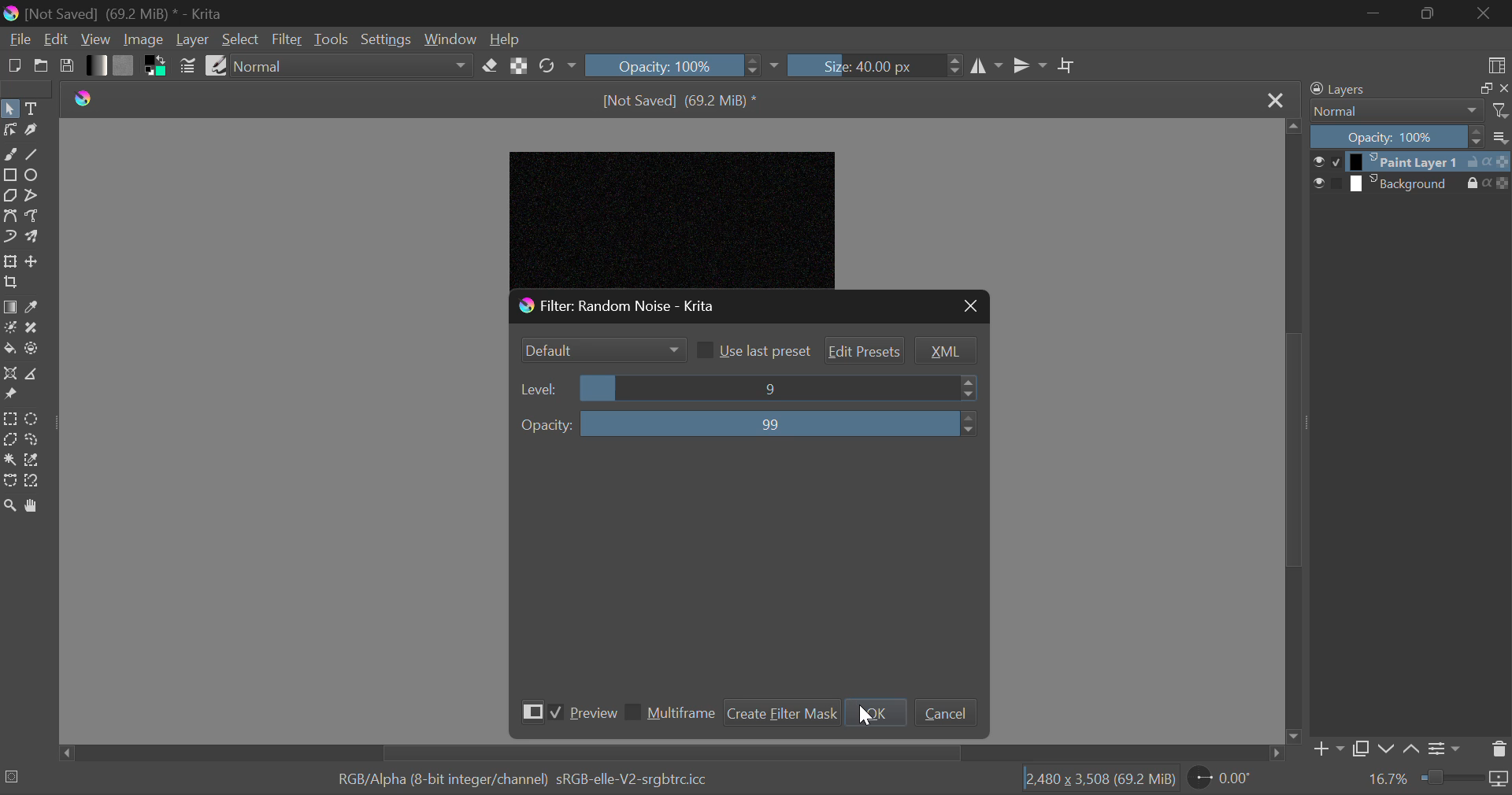  Describe the element at coordinates (1333, 162) in the screenshot. I see `checkbox` at that location.